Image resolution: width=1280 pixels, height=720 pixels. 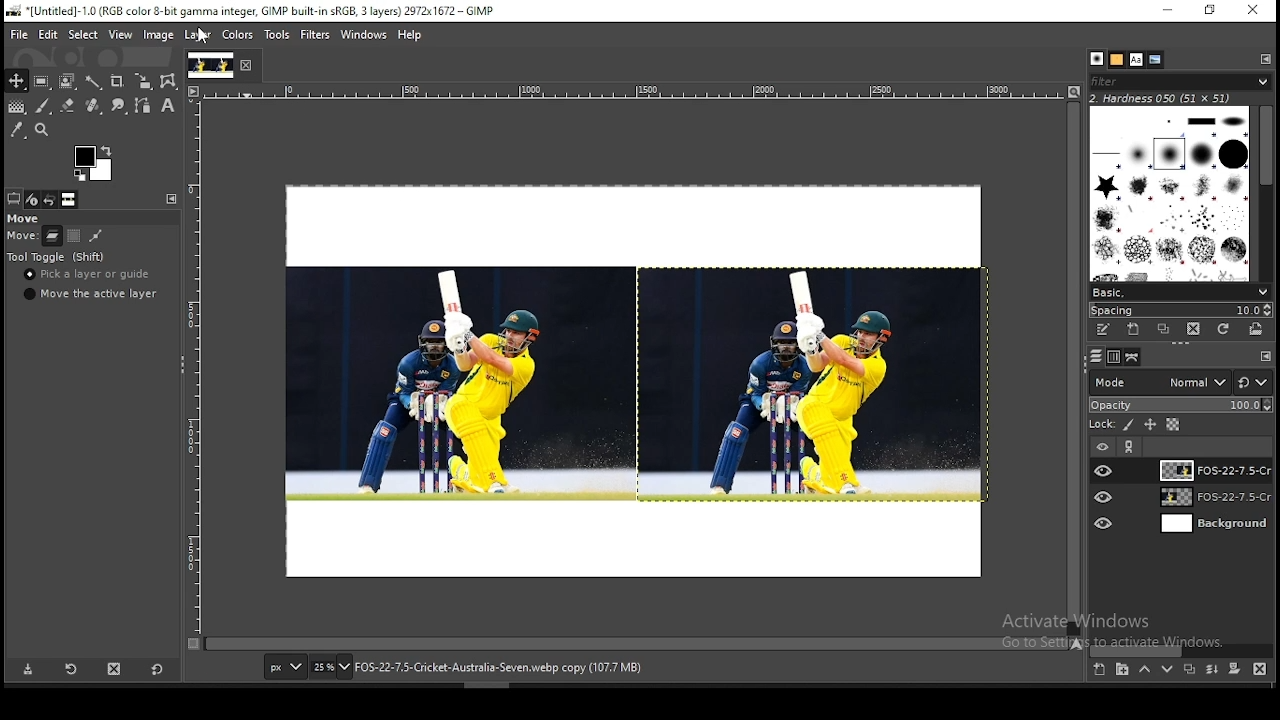 I want to click on tool options, so click(x=14, y=198).